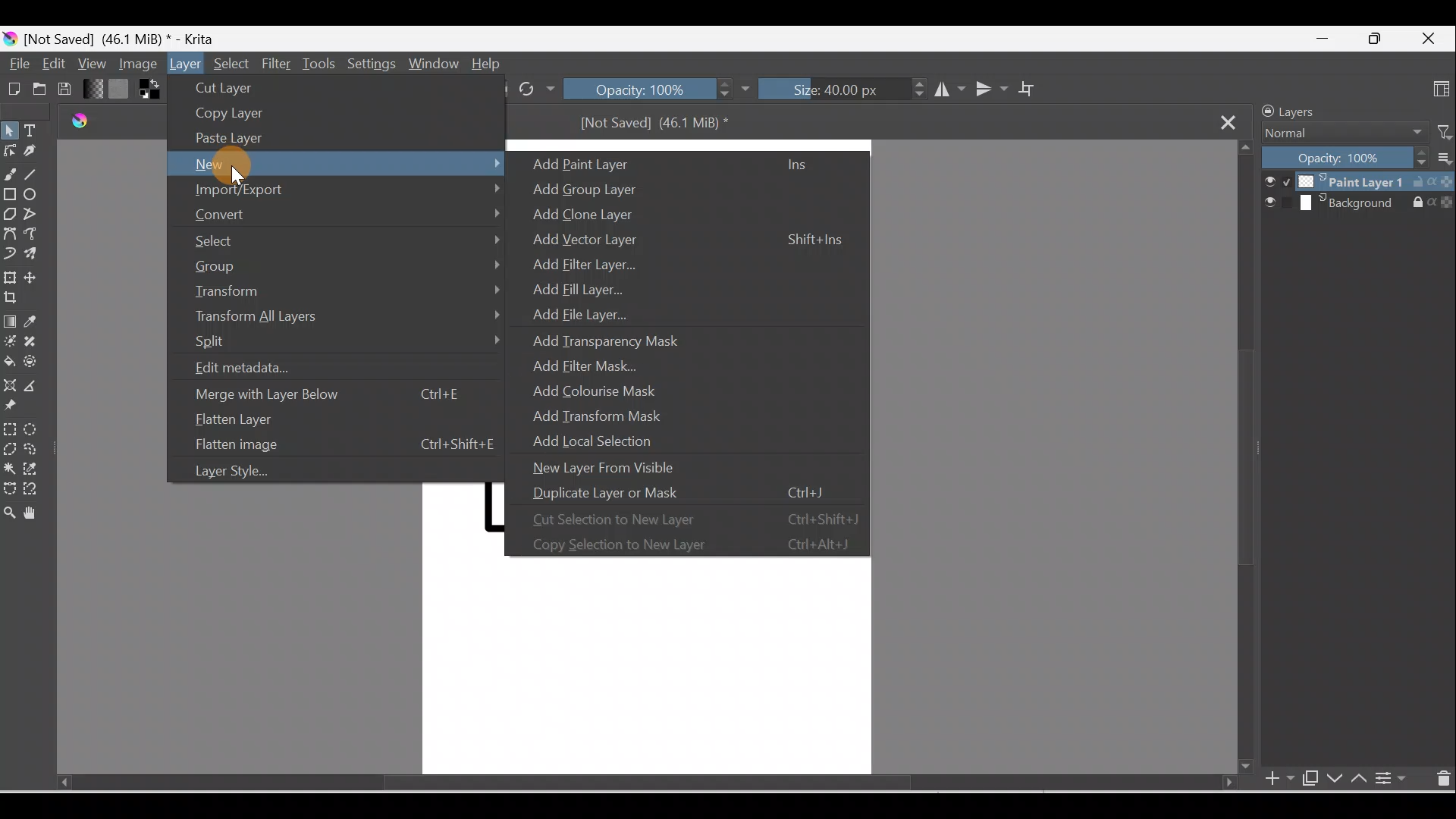  I want to click on File, so click(17, 64).